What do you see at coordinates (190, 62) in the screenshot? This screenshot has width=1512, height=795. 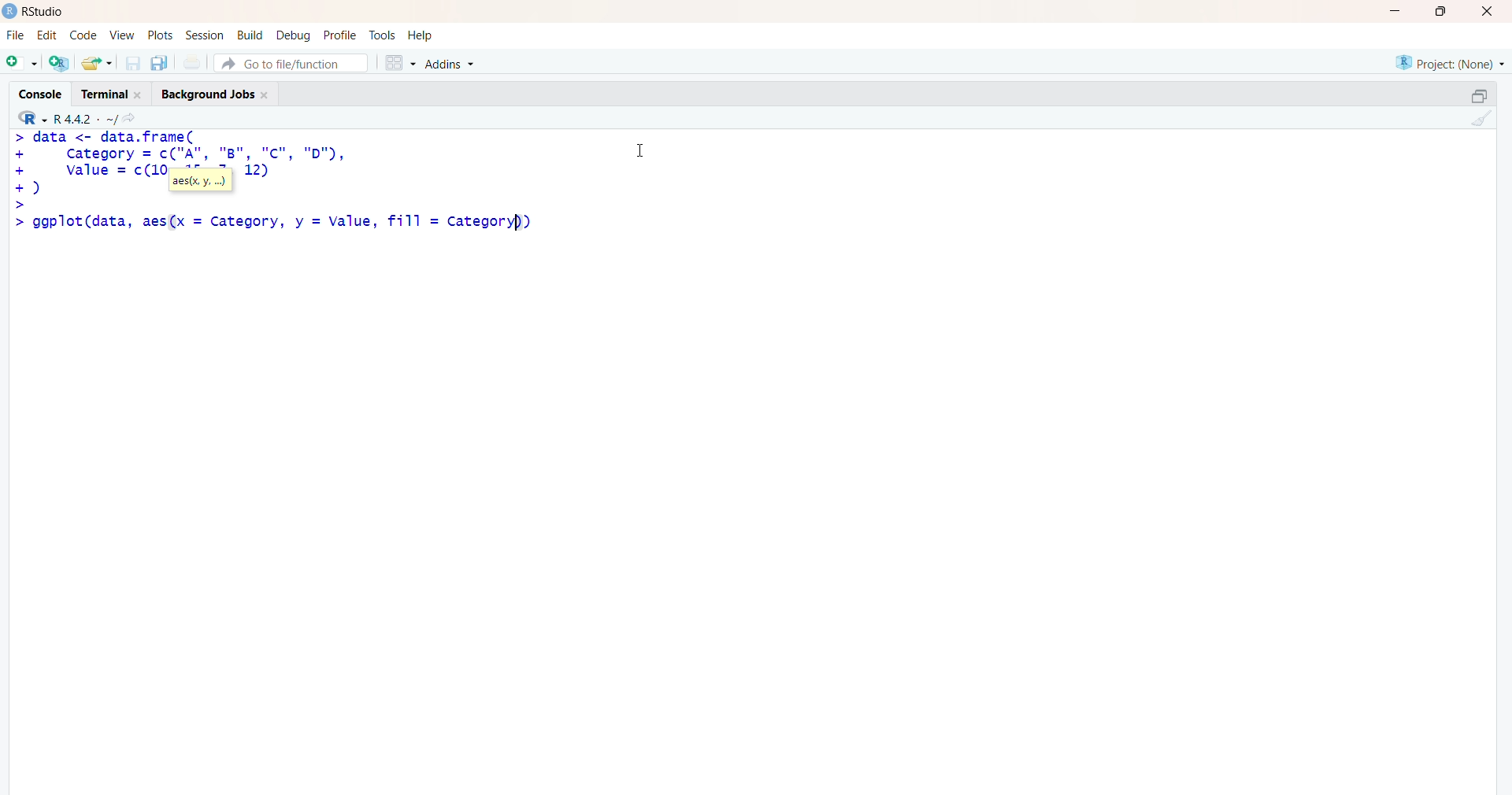 I see `print current file` at bounding box center [190, 62].